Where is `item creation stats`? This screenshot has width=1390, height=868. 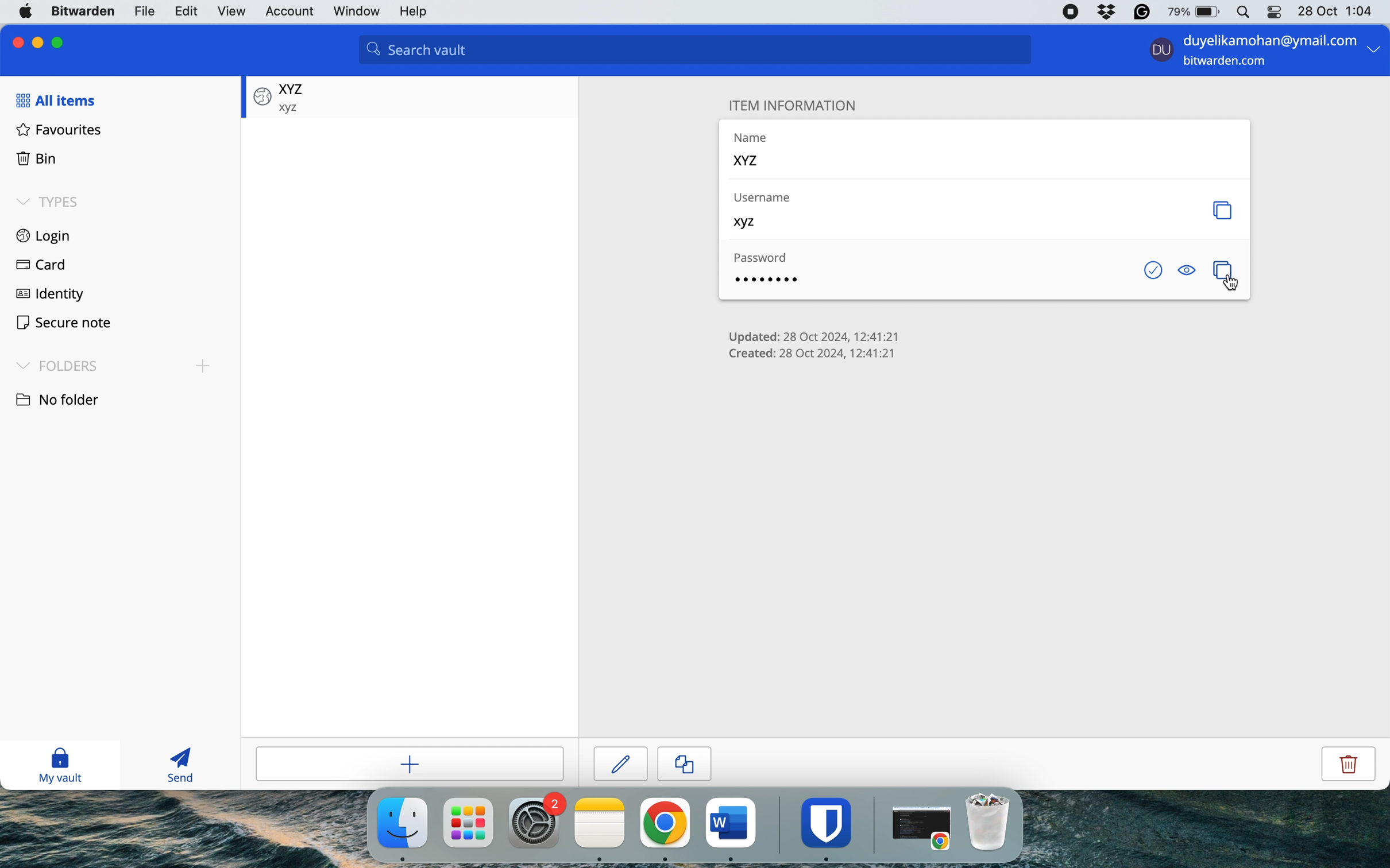
item creation stats is located at coordinates (818, 355).